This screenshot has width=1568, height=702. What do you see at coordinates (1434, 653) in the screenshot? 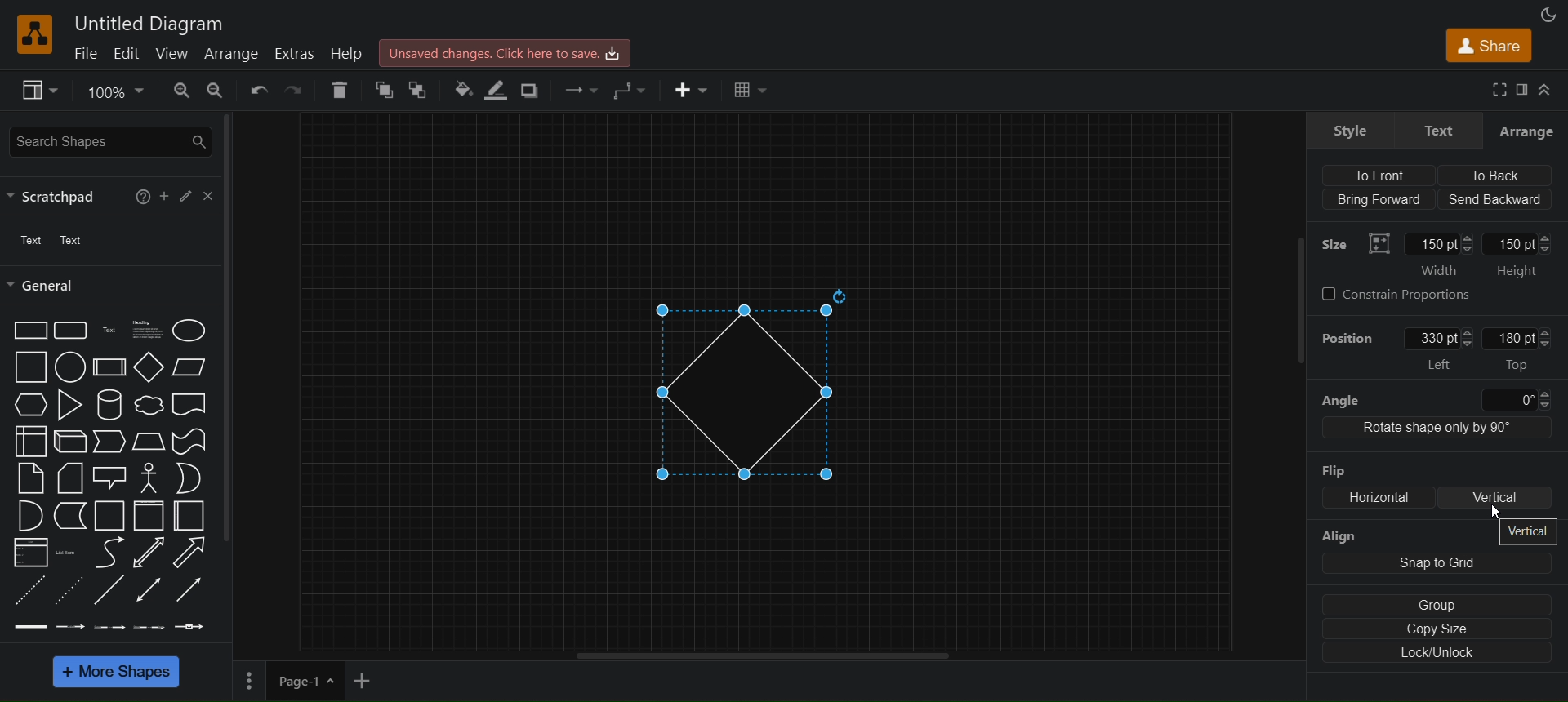
I see `lock/unlock` at bounding box center [1434, 653].